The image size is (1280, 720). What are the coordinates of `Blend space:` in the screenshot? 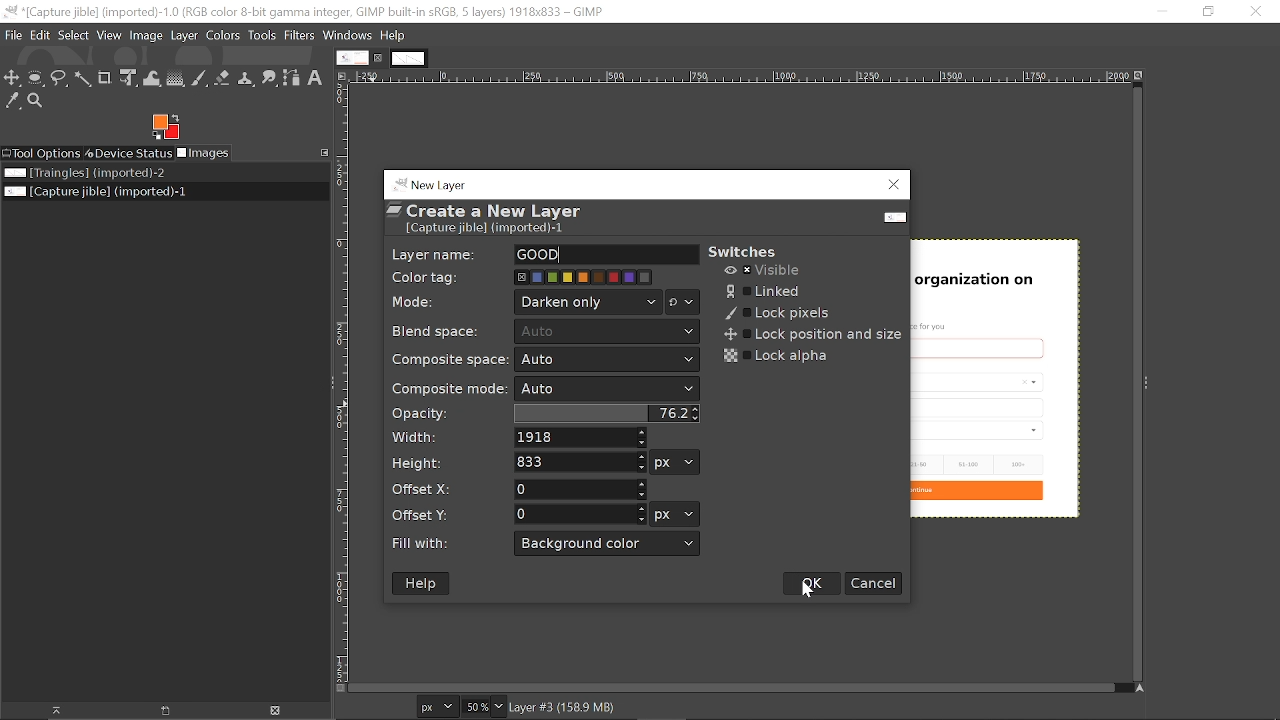 It's located at (440, 331).